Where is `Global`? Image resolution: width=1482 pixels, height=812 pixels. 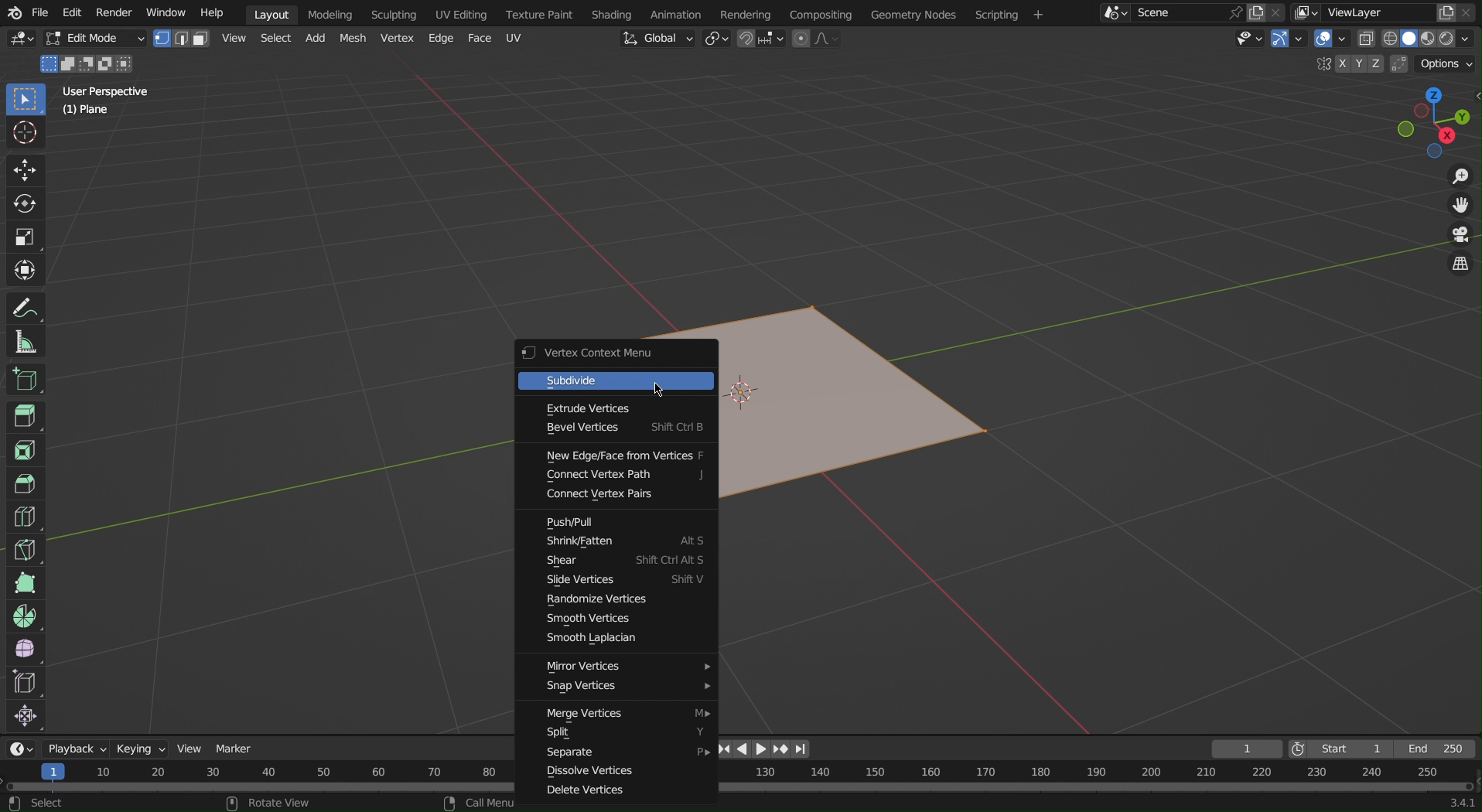
Global is located at coordinates (655, 39).